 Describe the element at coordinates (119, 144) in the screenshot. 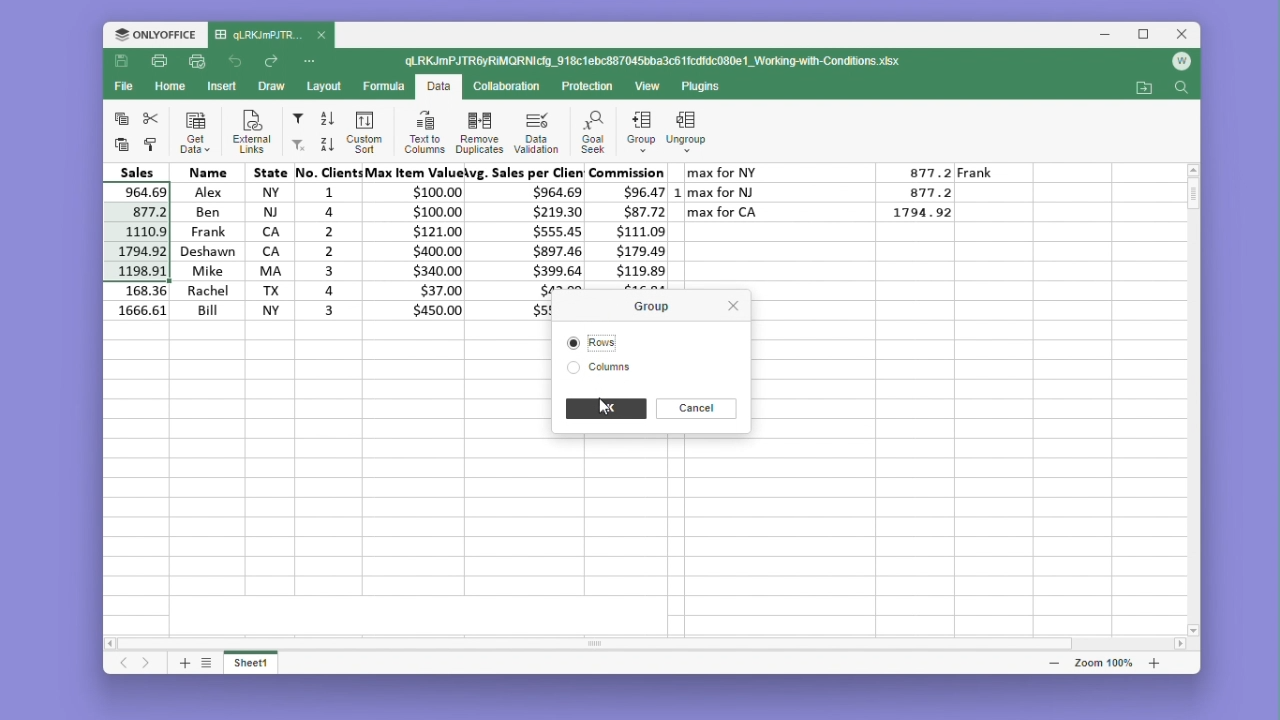

I see `paste` at that location.